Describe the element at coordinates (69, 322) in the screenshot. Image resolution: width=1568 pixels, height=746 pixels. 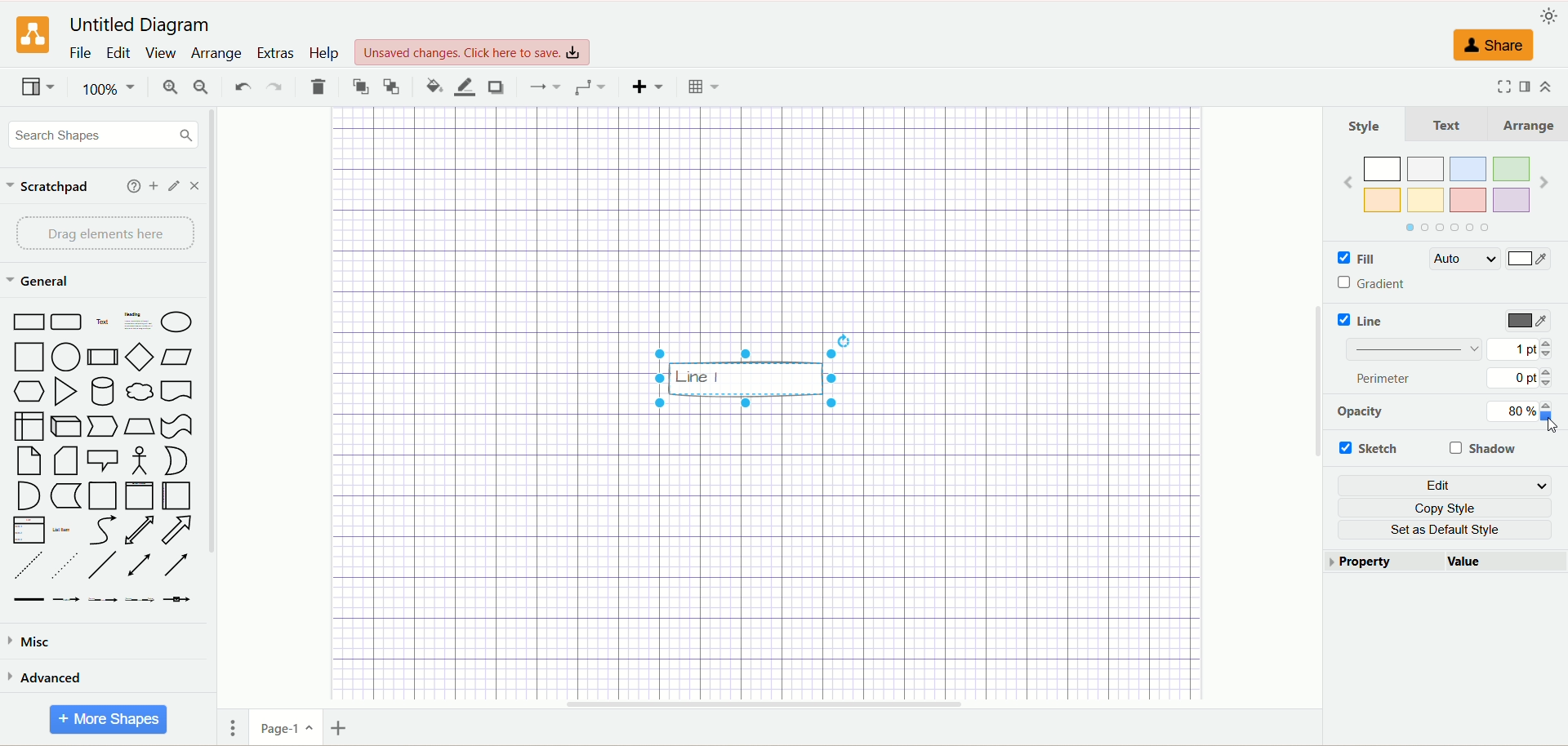
I see `Rounded Rectangle` at that location.